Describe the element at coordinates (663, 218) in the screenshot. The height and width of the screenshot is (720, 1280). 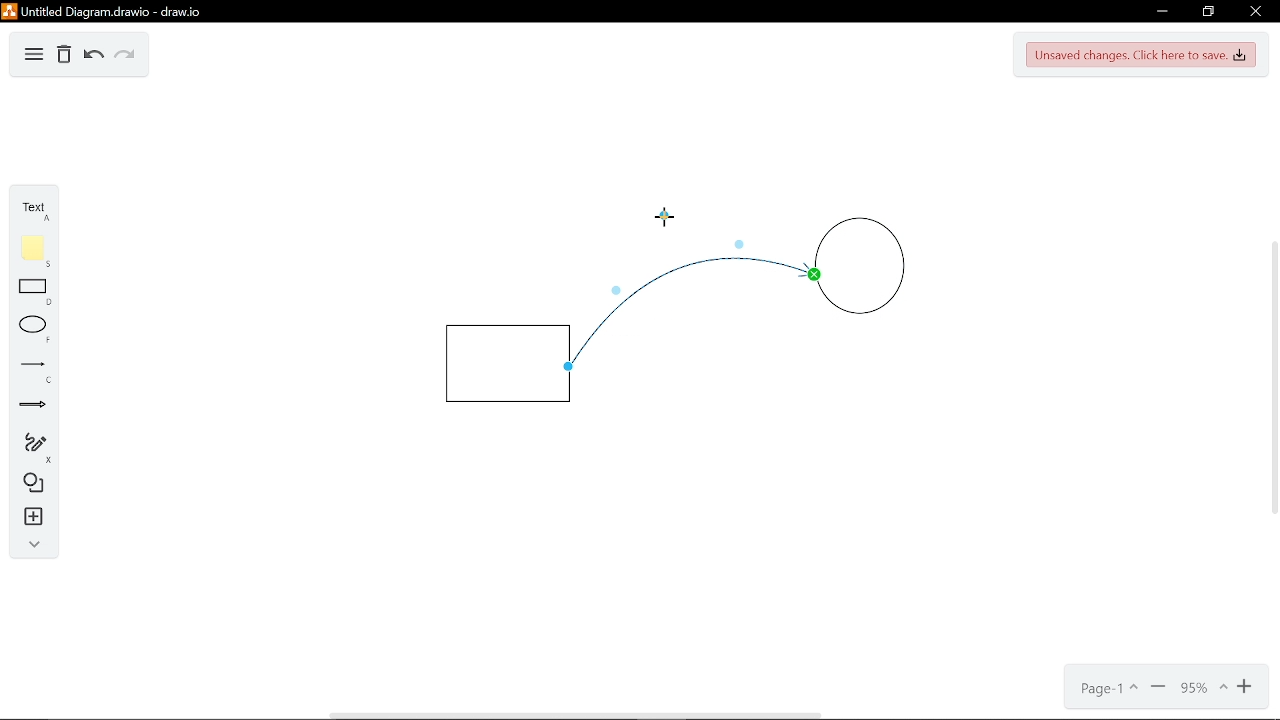
I see `Cursor` at that location.